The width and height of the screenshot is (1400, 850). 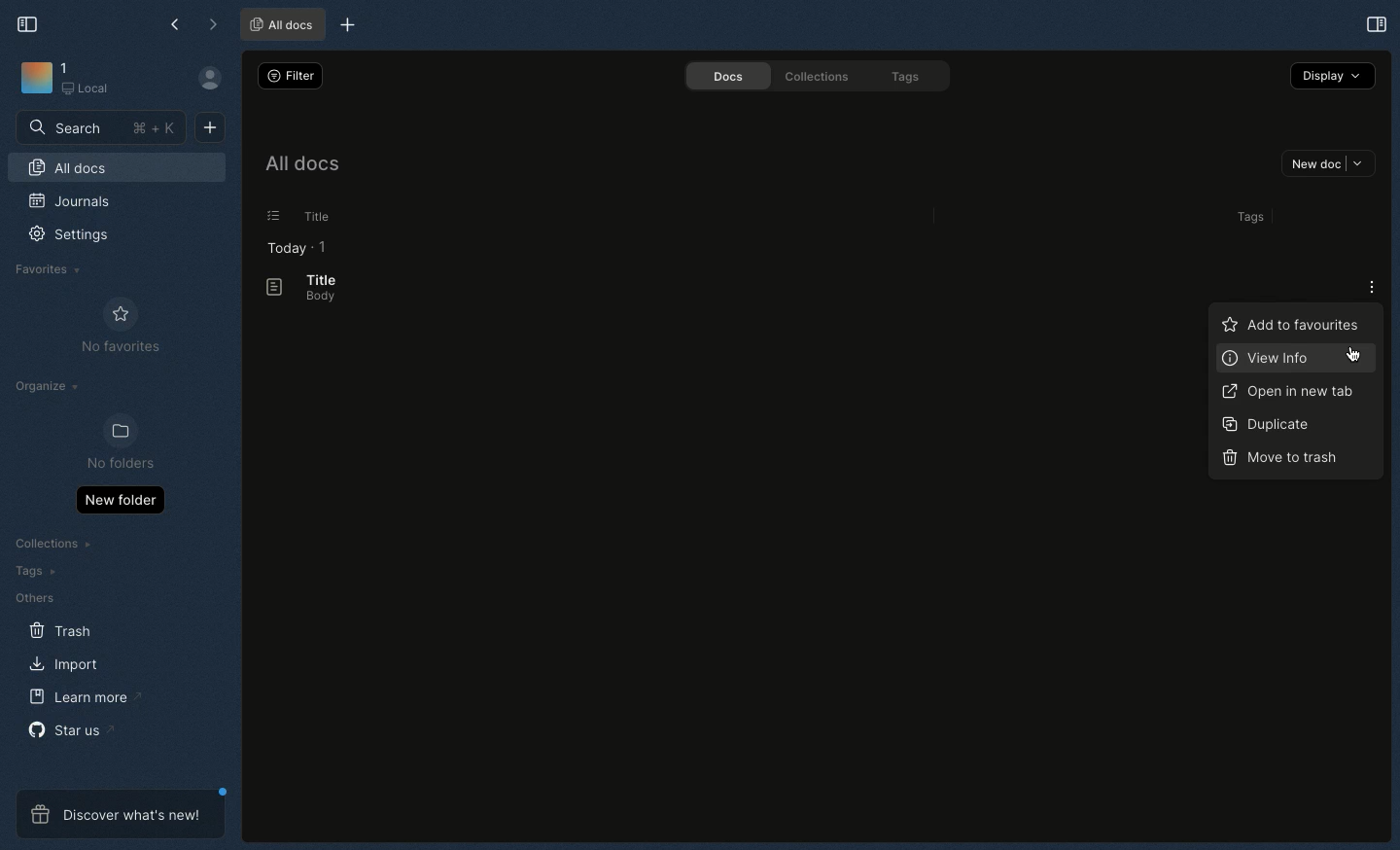 I want to click on Add to favourties, so click(x=1289, y=324).